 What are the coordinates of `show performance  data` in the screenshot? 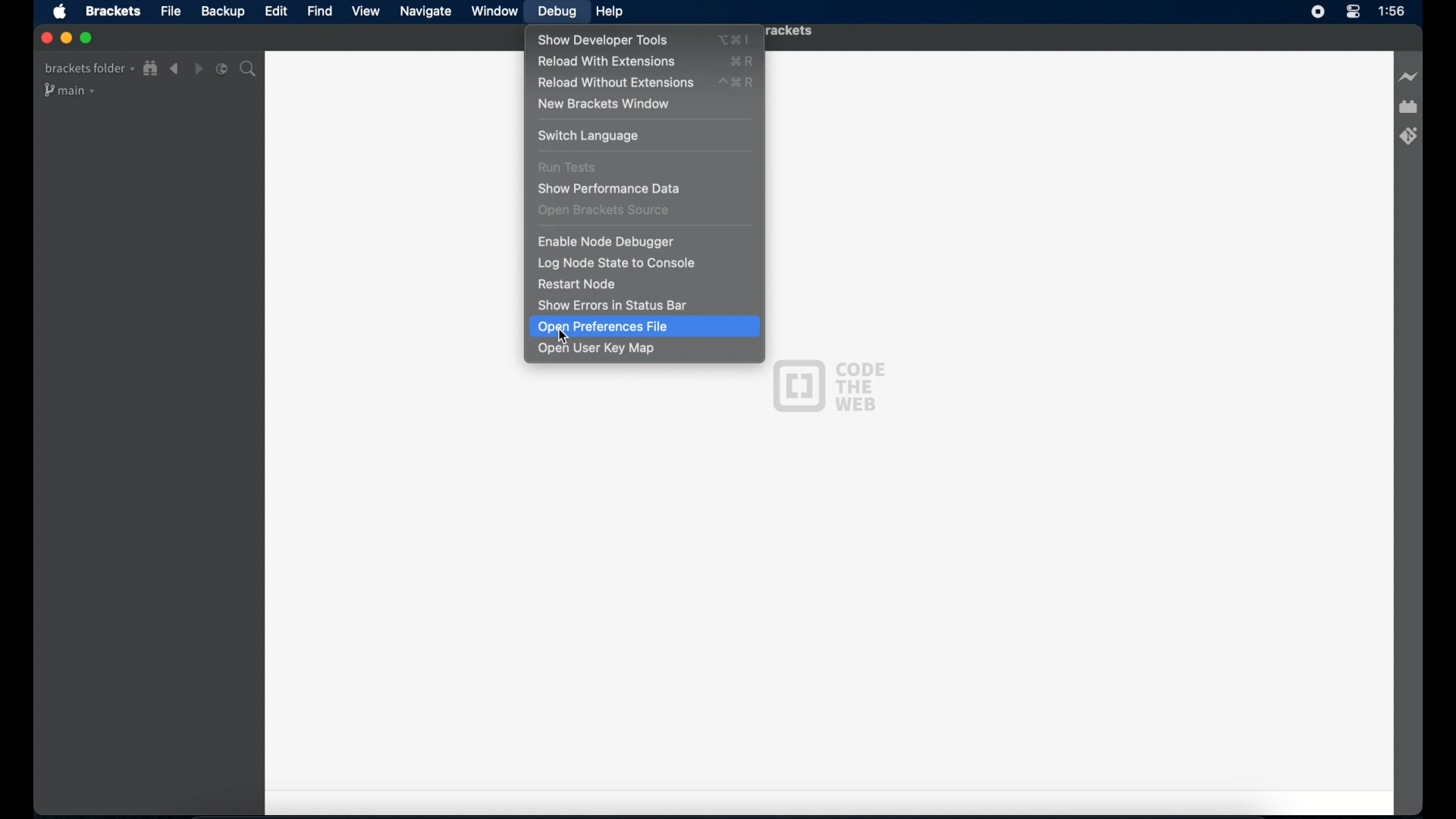 It's located at (610, 190).